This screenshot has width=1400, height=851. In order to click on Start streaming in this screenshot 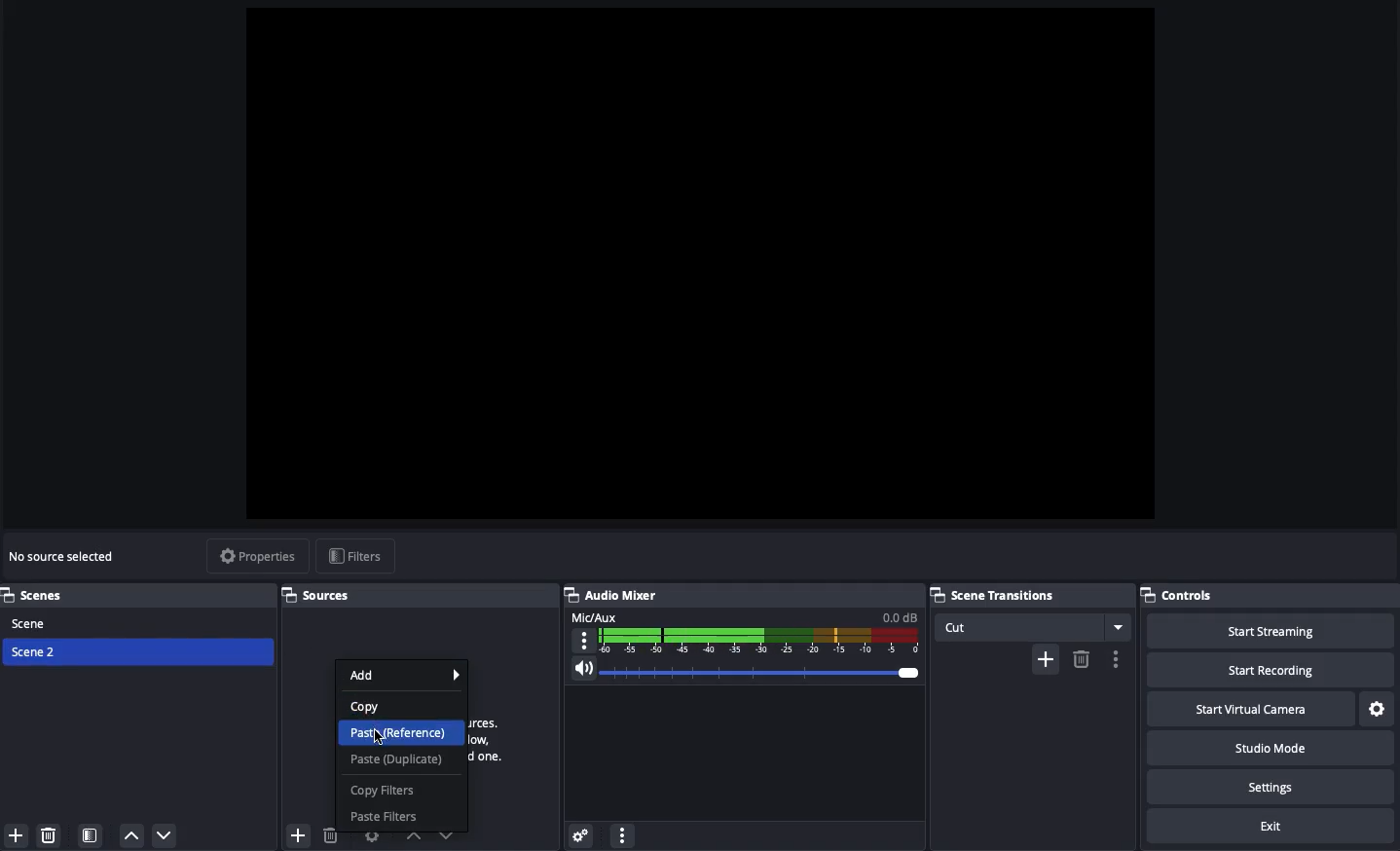, I will do `click(1271, 631)`.